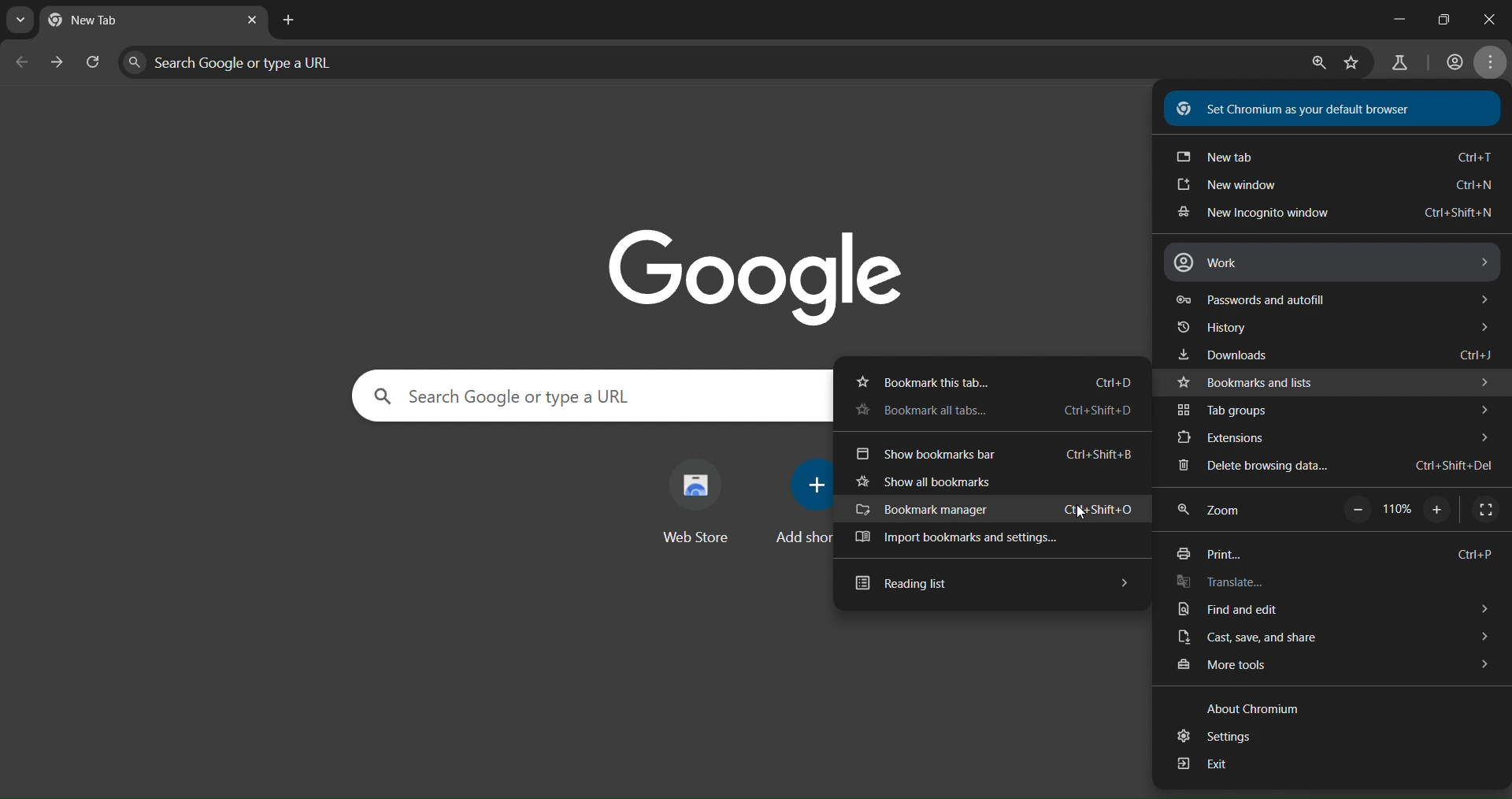  What do you see at coordinates (1385, 21) in the screenshot?
I see `minimize` at bounding box center [1385, 21].